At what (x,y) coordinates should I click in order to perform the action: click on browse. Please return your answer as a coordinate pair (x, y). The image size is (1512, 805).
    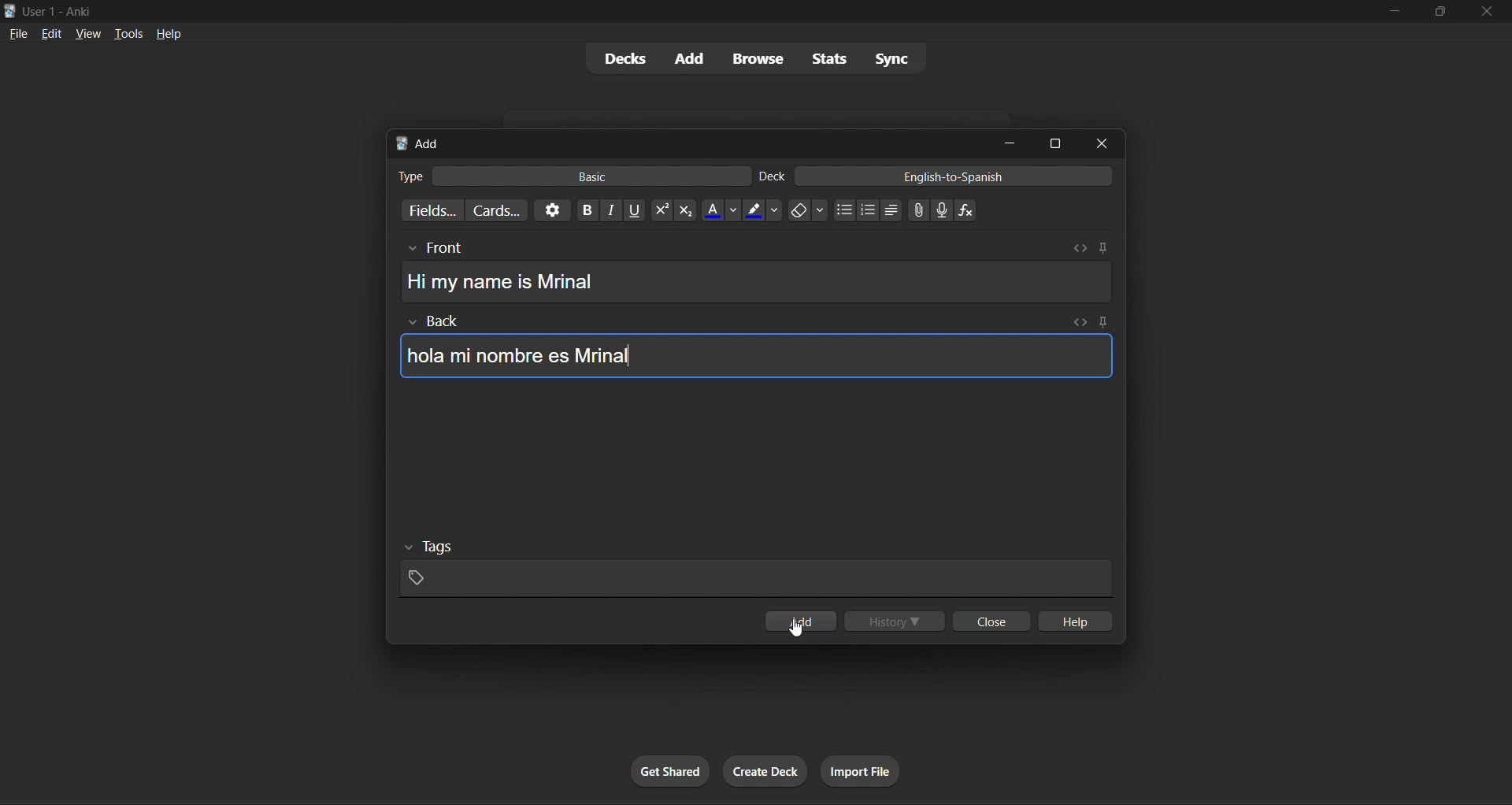
    Looking at the image, I should click on (756, 57).